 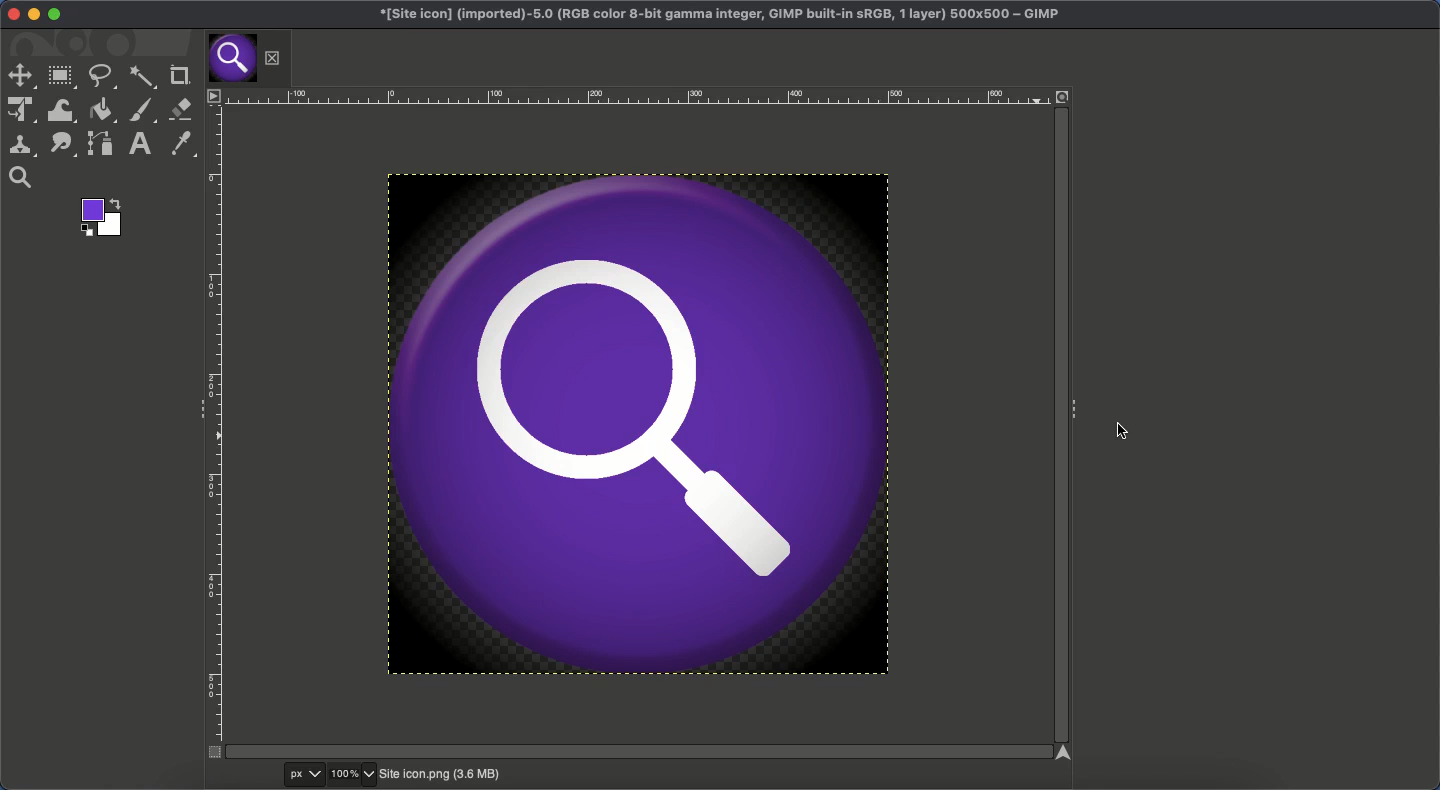 What do you see at coordinates (273, 58) in the screenshot?
I see `Close` at bounding box center [273, 58].